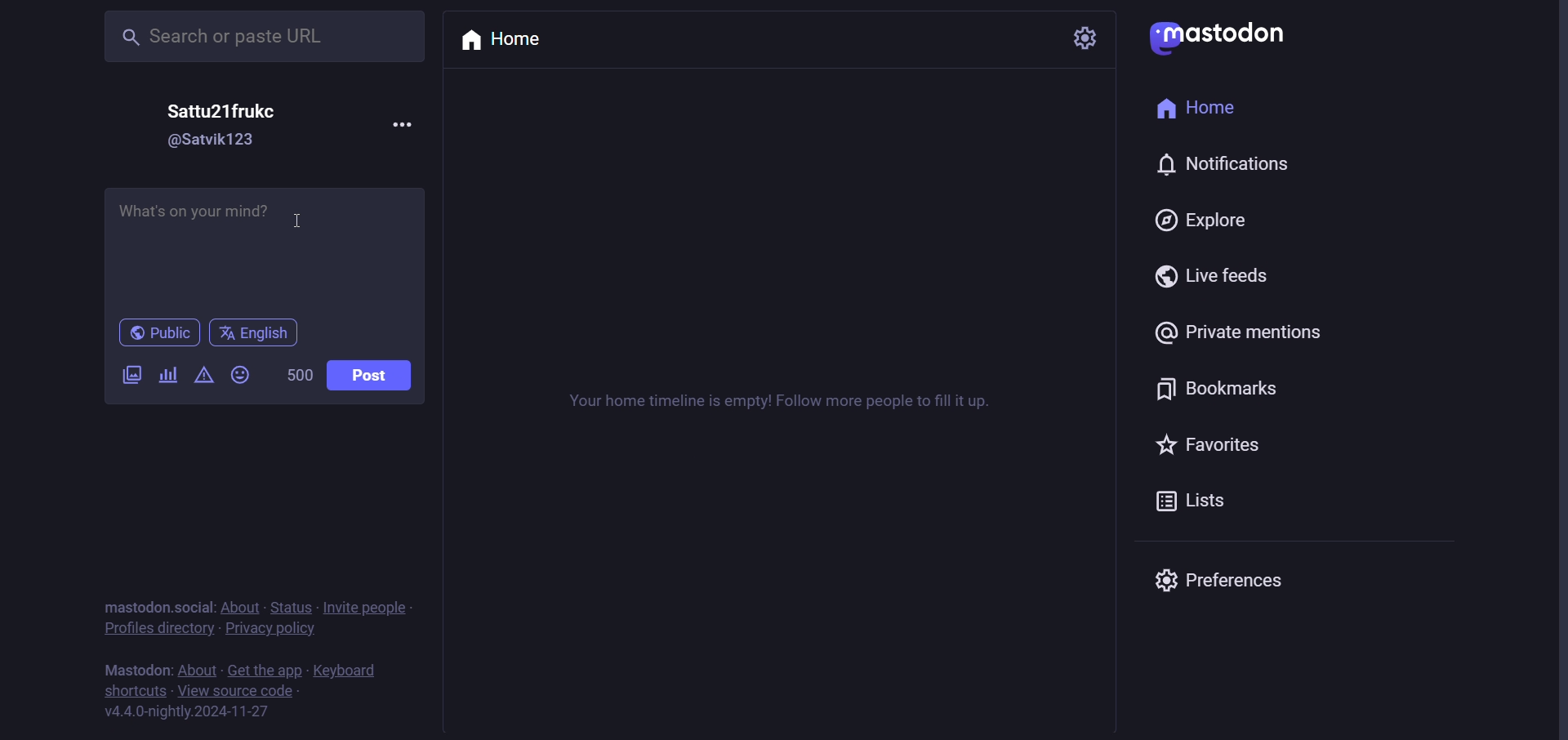  I want to click on about, so click(198, 669).